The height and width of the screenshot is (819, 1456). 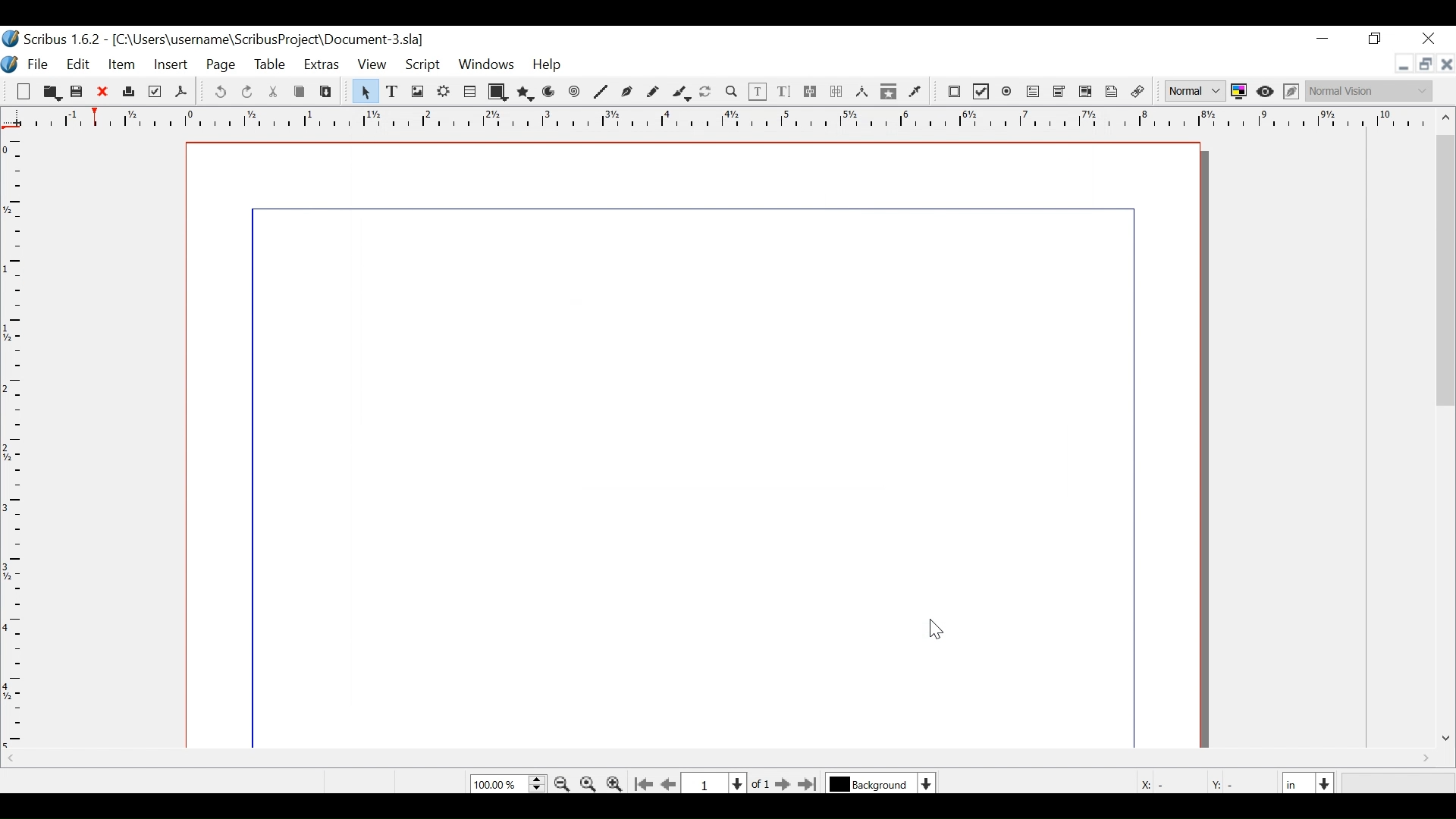 What do you see at coordinates (1447, 269) in the screenshot?
I see `Vertical Scroll bar` at bounding box center [1447, 269].